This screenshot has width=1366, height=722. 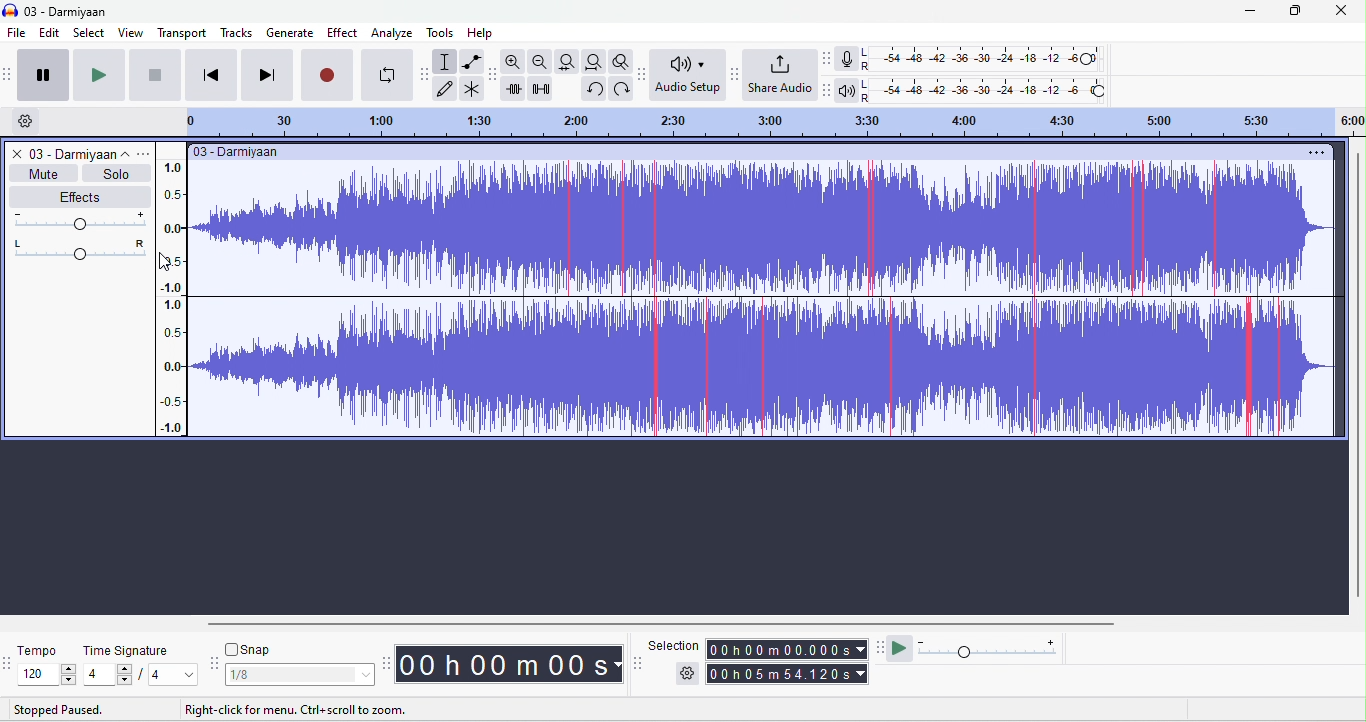 I want to click on zoom in, so click(x=515, y=63).